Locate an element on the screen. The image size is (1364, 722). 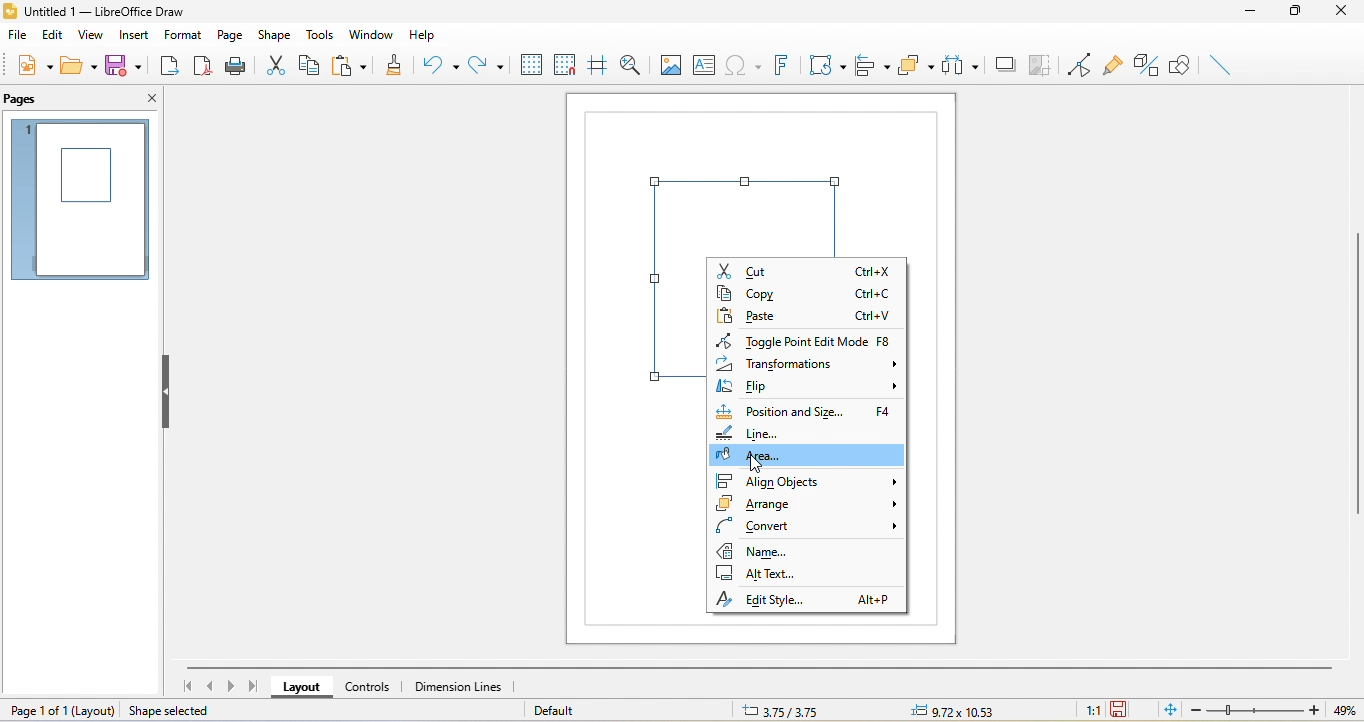
print is located at coordinates (236, 68).